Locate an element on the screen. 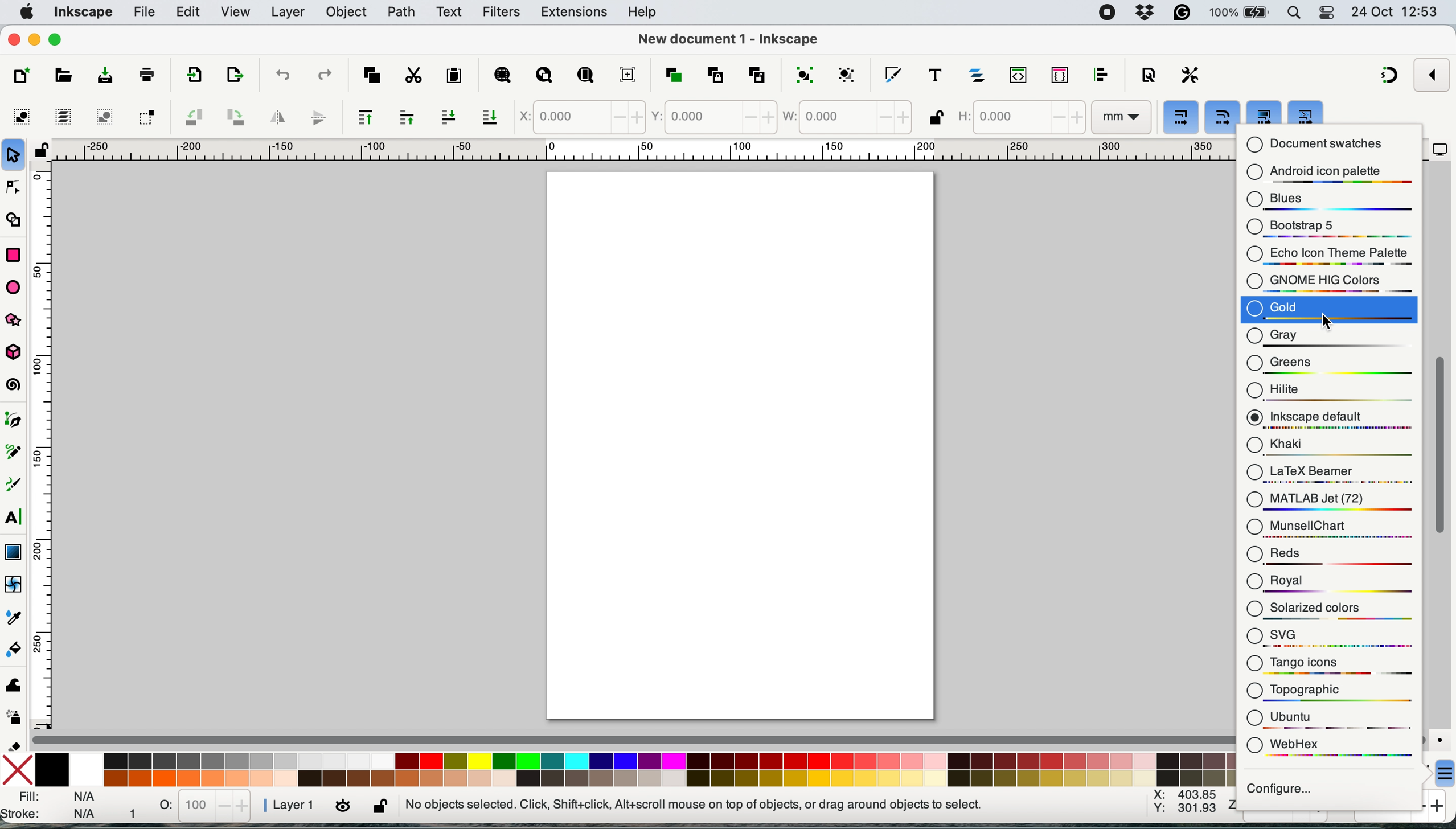 The height and width of the screenshot is (829, 1456). tweak tool is located at coordinates (13, 689).